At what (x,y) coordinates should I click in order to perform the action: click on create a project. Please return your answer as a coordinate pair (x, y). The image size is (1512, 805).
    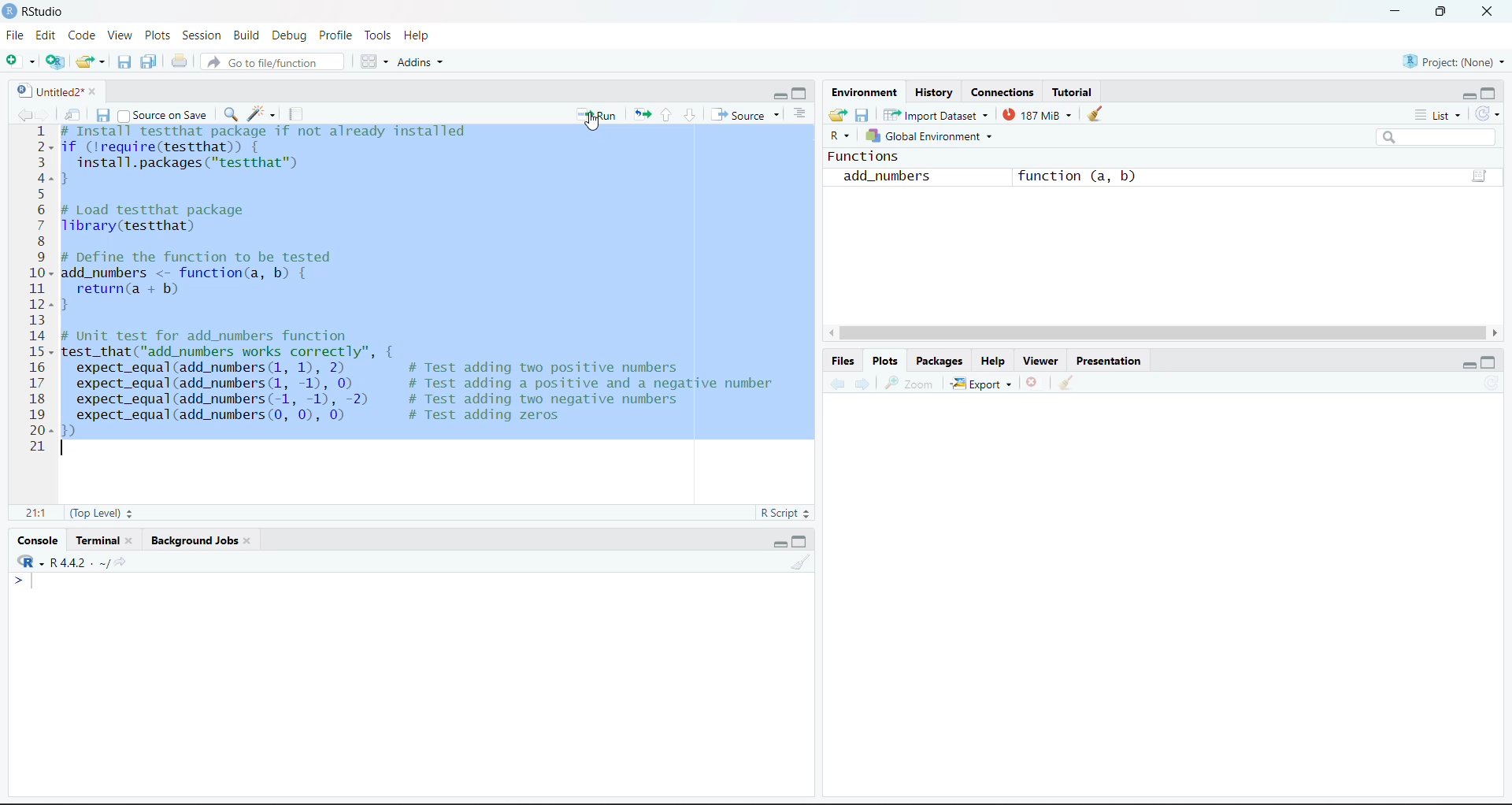
    Looking at the image, I should click on (55, 61).